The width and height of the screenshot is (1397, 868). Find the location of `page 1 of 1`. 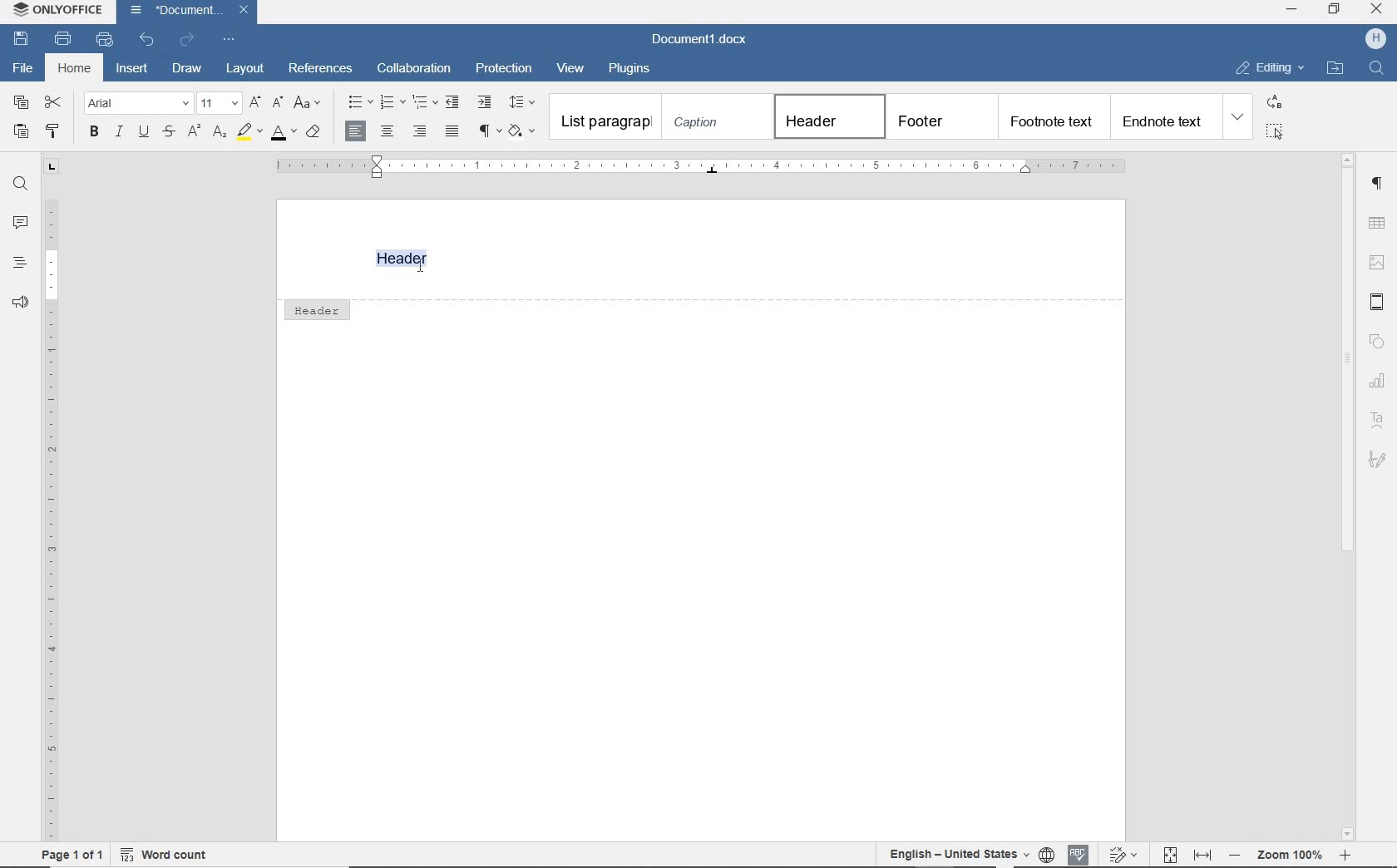

page 1 of 1 is located at coordinates (76, 855).